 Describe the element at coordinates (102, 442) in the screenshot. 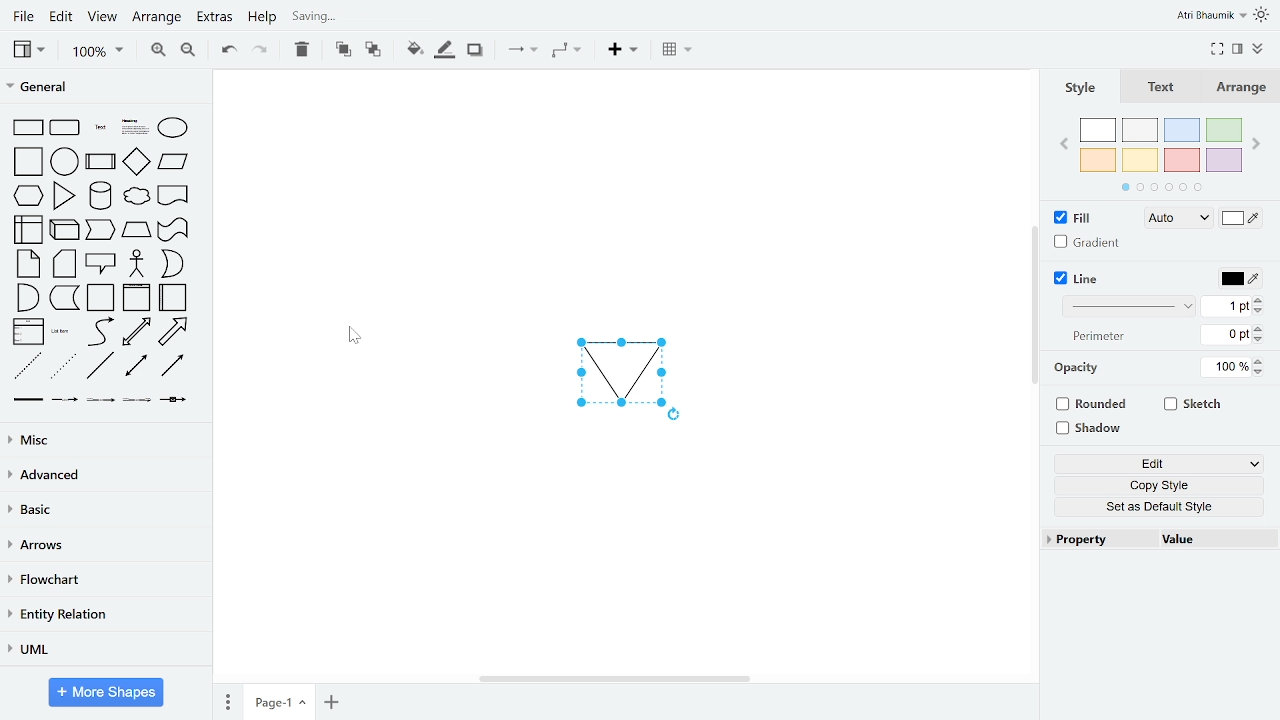

I see `misc` at that location.